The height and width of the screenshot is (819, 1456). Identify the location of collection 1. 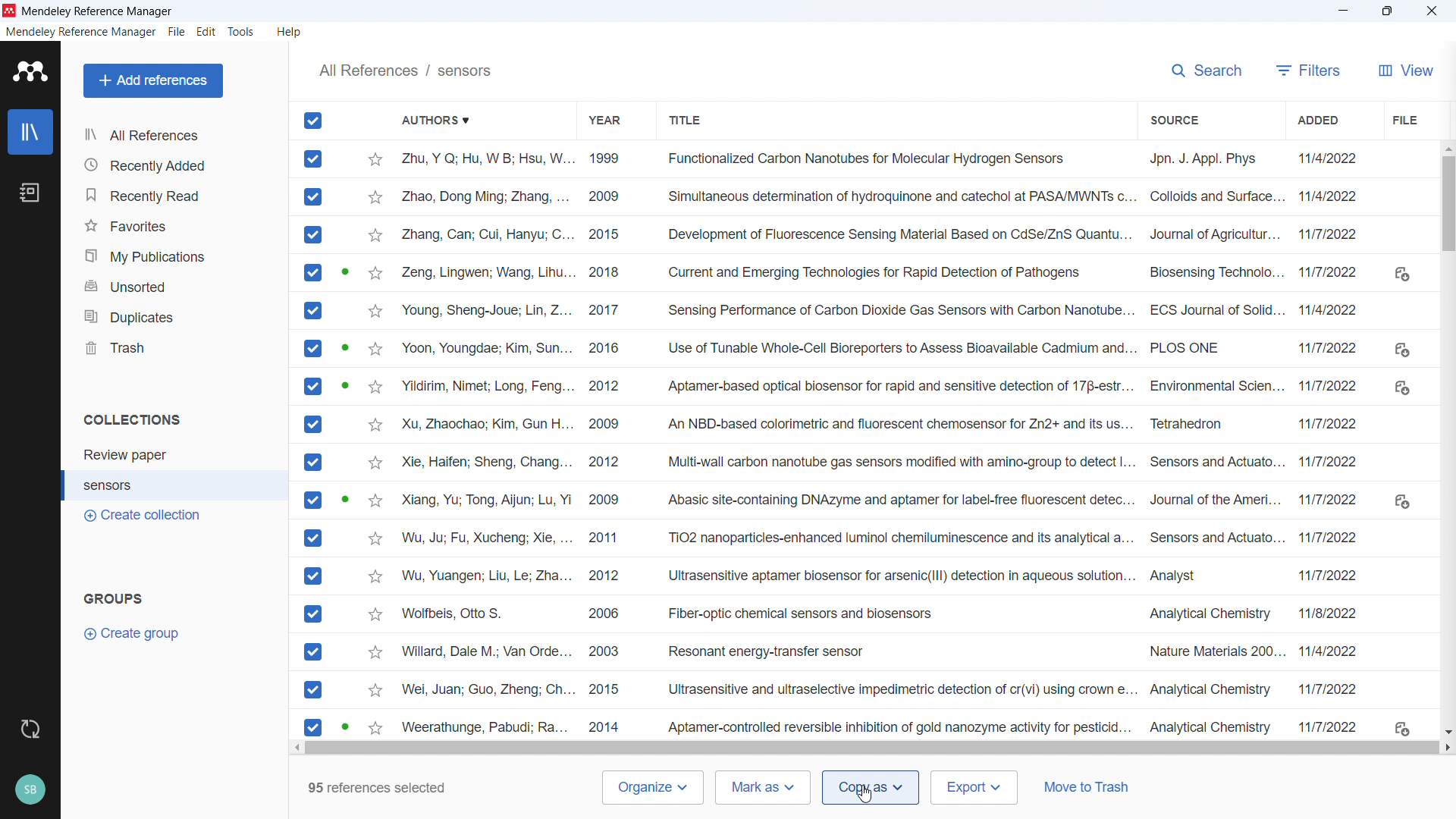
(174, 453).